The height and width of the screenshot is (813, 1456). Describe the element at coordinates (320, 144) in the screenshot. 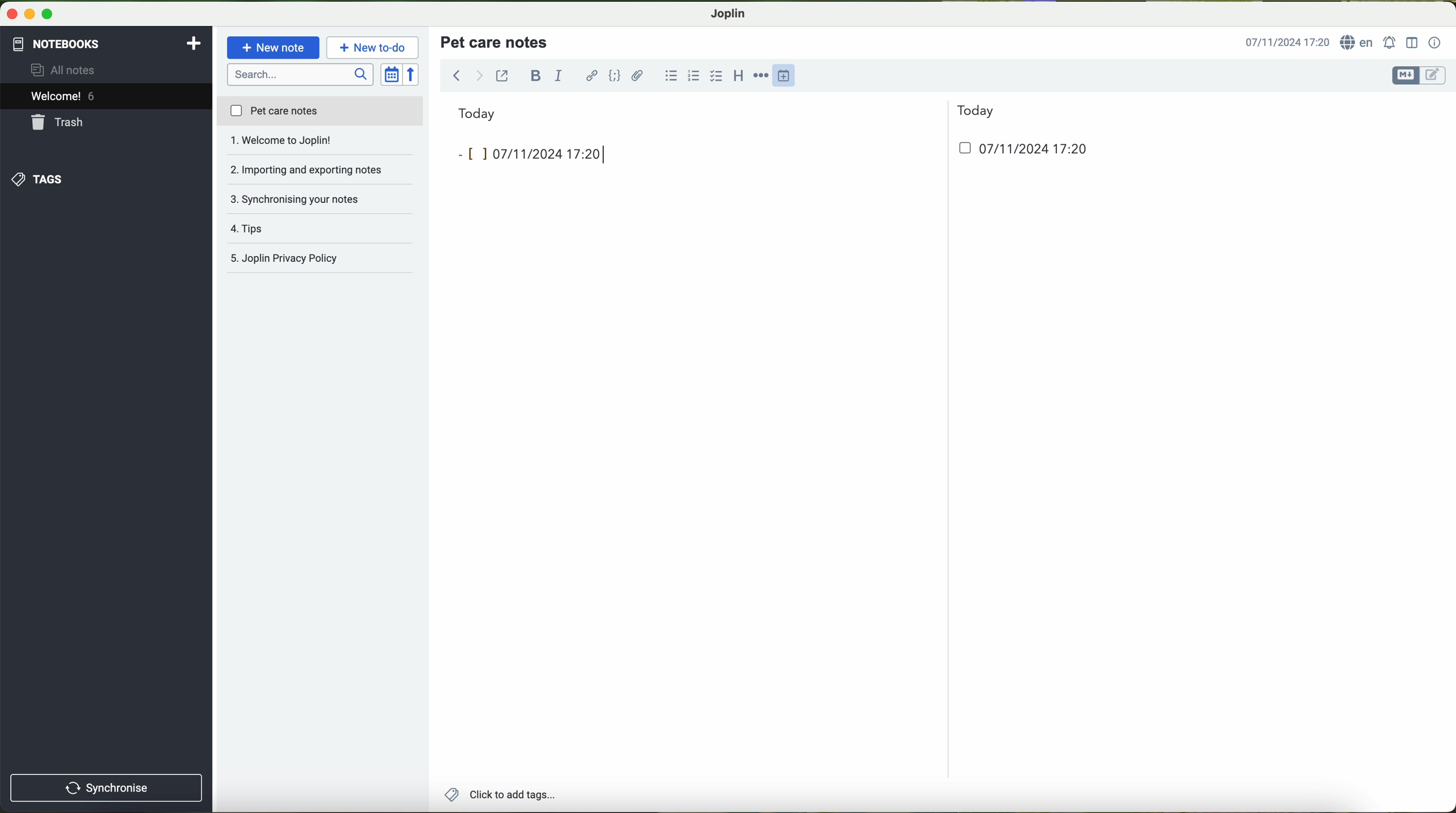

I see `importing and exporting notes` at that location.